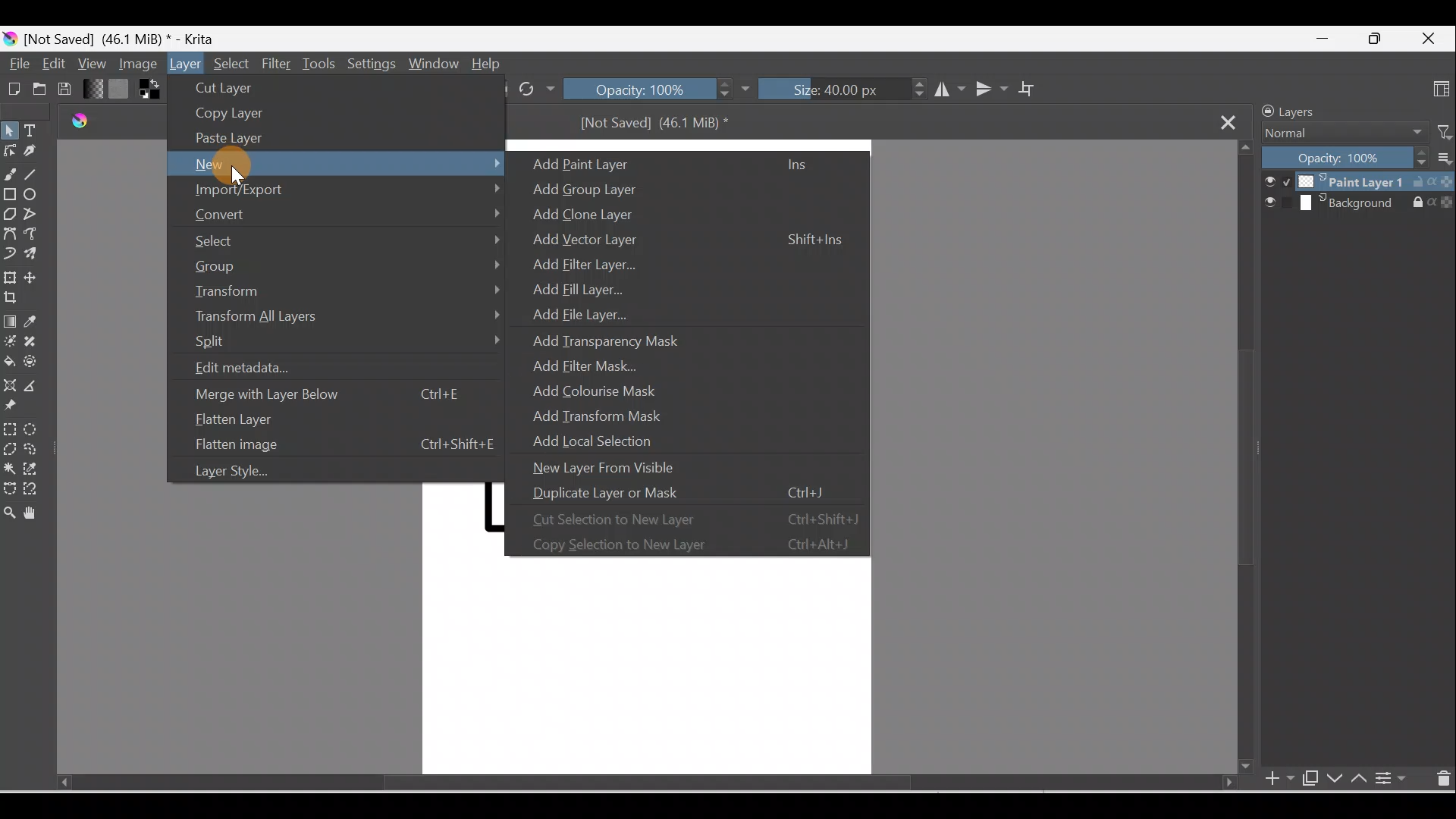 The height and width of the screenshot is (819, 1456). I want to click on Multibrush tool, so click(36, 256).